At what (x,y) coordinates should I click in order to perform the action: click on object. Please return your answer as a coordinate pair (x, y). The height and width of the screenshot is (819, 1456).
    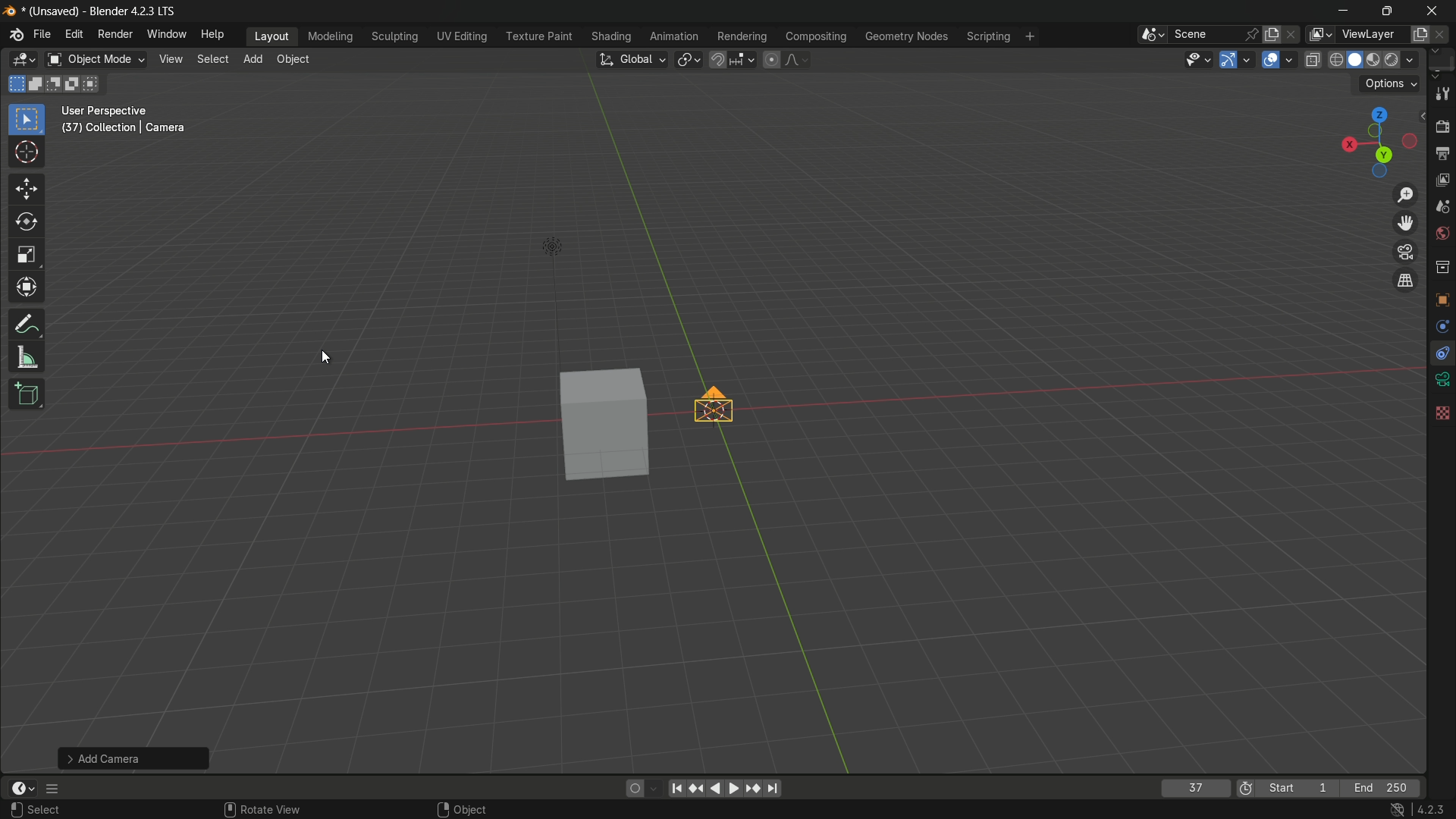
    Looking at the image, I should click on (472, 808).